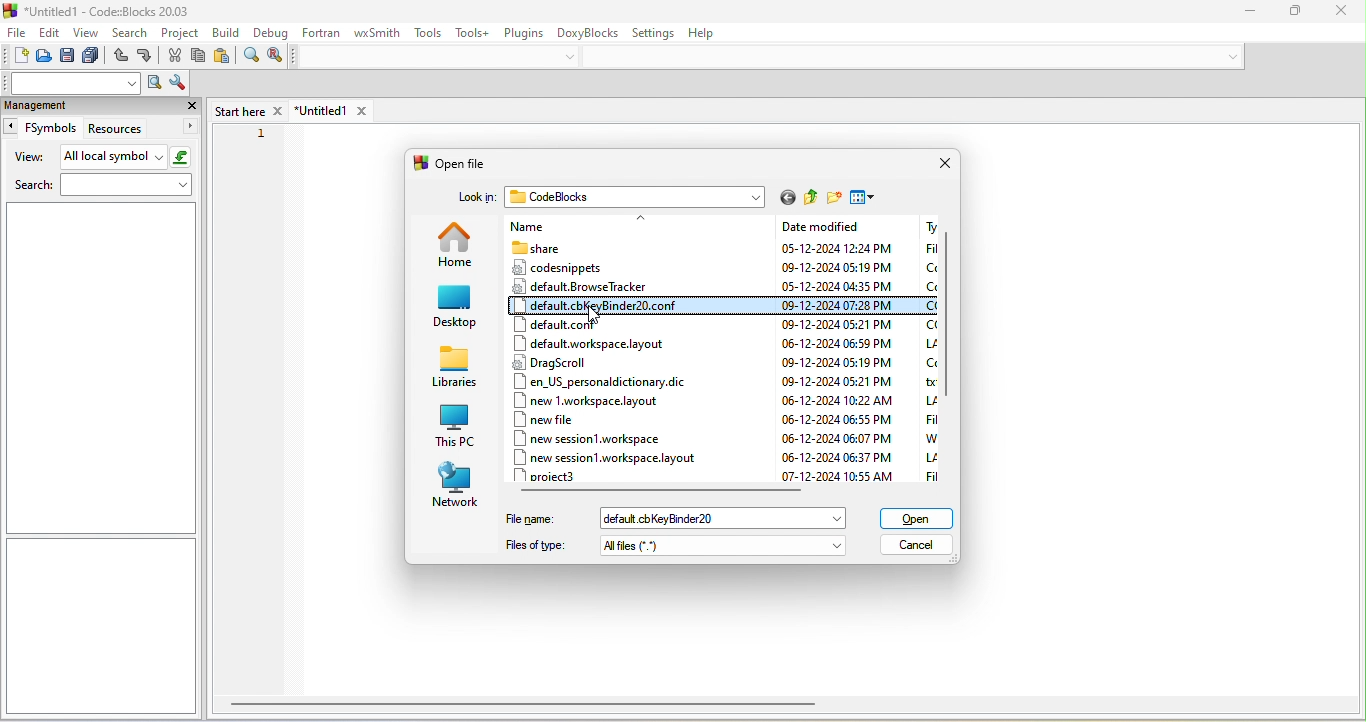 The height and width of the screenshot is (722, 1366). What do you see at coordinates (835, 196) in the screenshot?
I see `new folder` at bounding box center [835, 196].